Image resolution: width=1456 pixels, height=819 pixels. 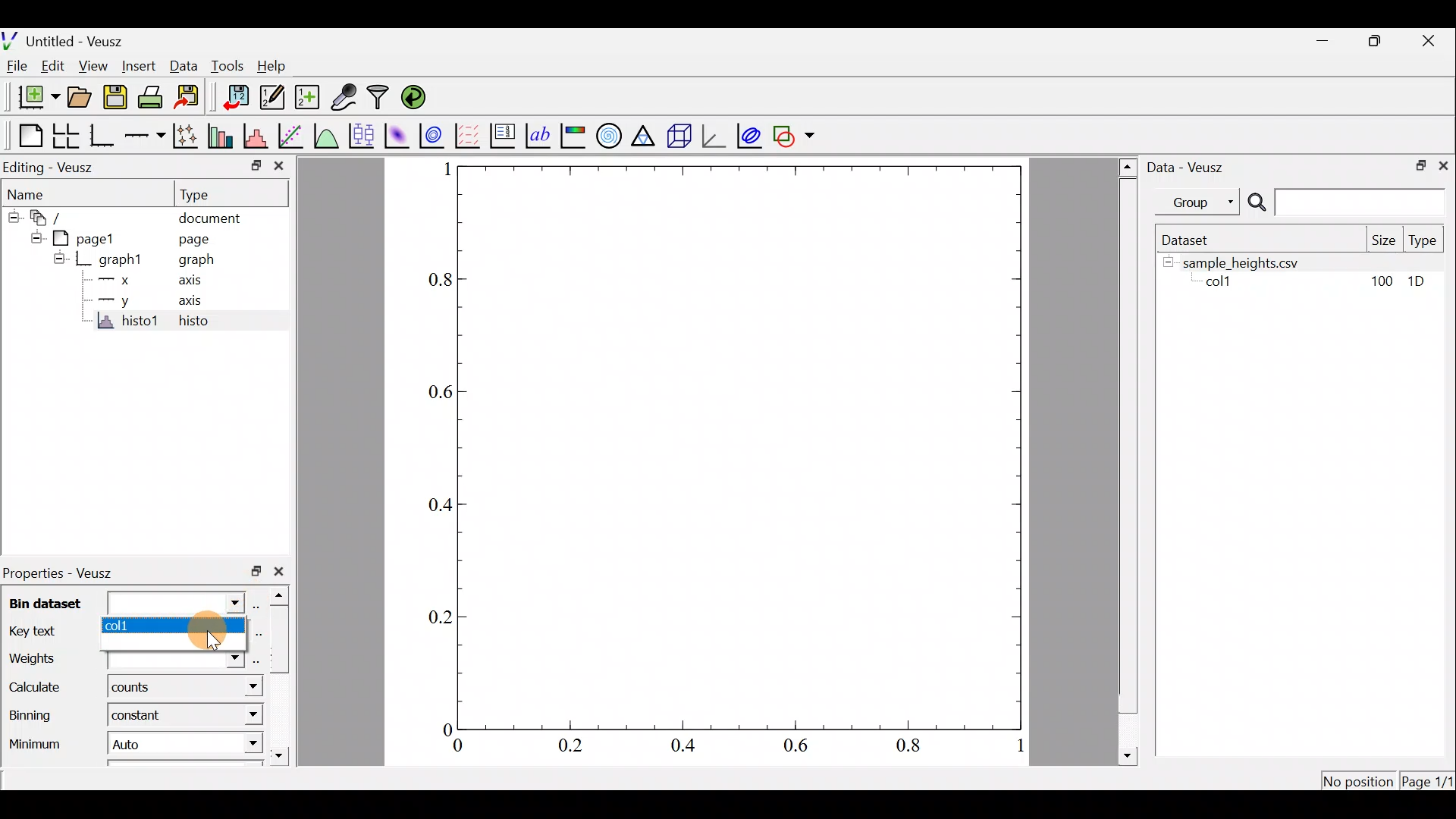 I want to click on restore down, so click(x=1373, y=42).